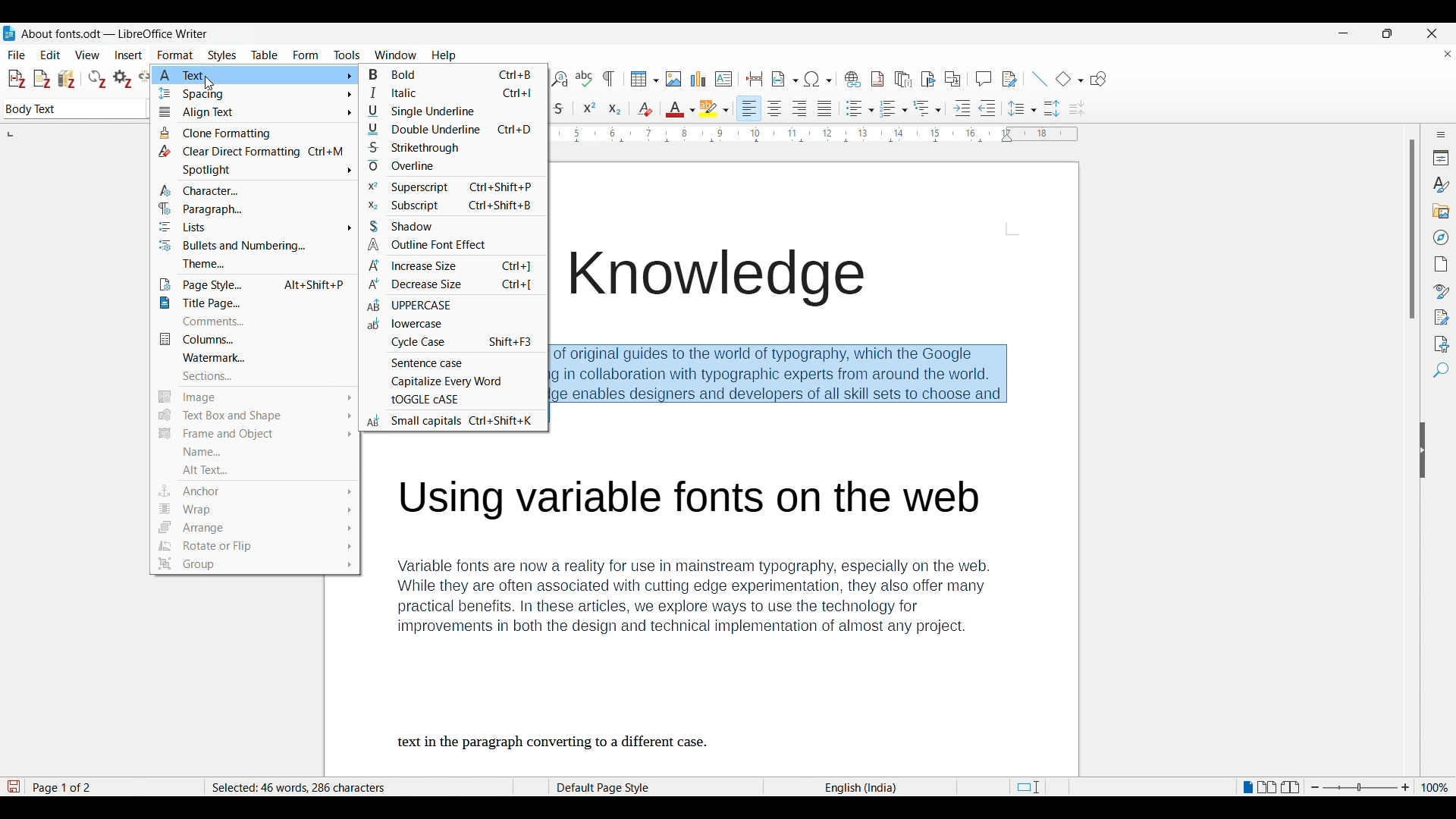 This screenshot has width=1456, height=819. Describe the element at coordinates (987, 108) in the screenshot. I see `Decrease indent` at that location.